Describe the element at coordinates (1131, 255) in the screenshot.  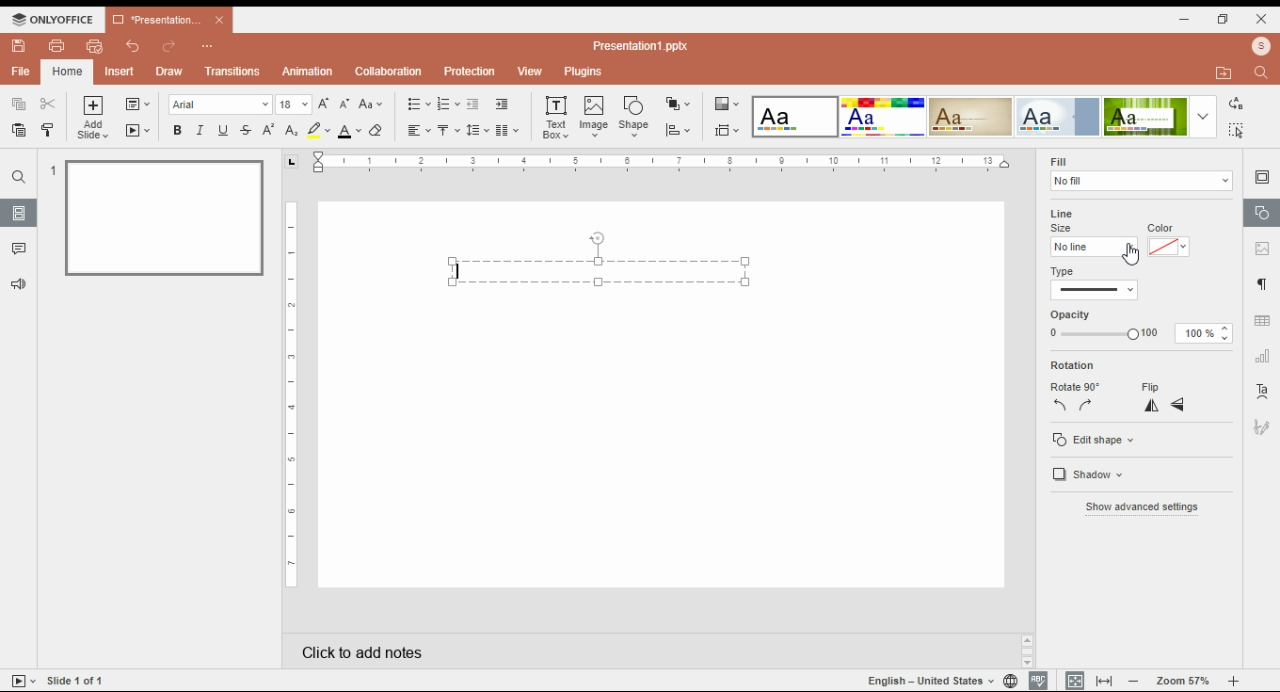
I see `hand cursor` at that location.